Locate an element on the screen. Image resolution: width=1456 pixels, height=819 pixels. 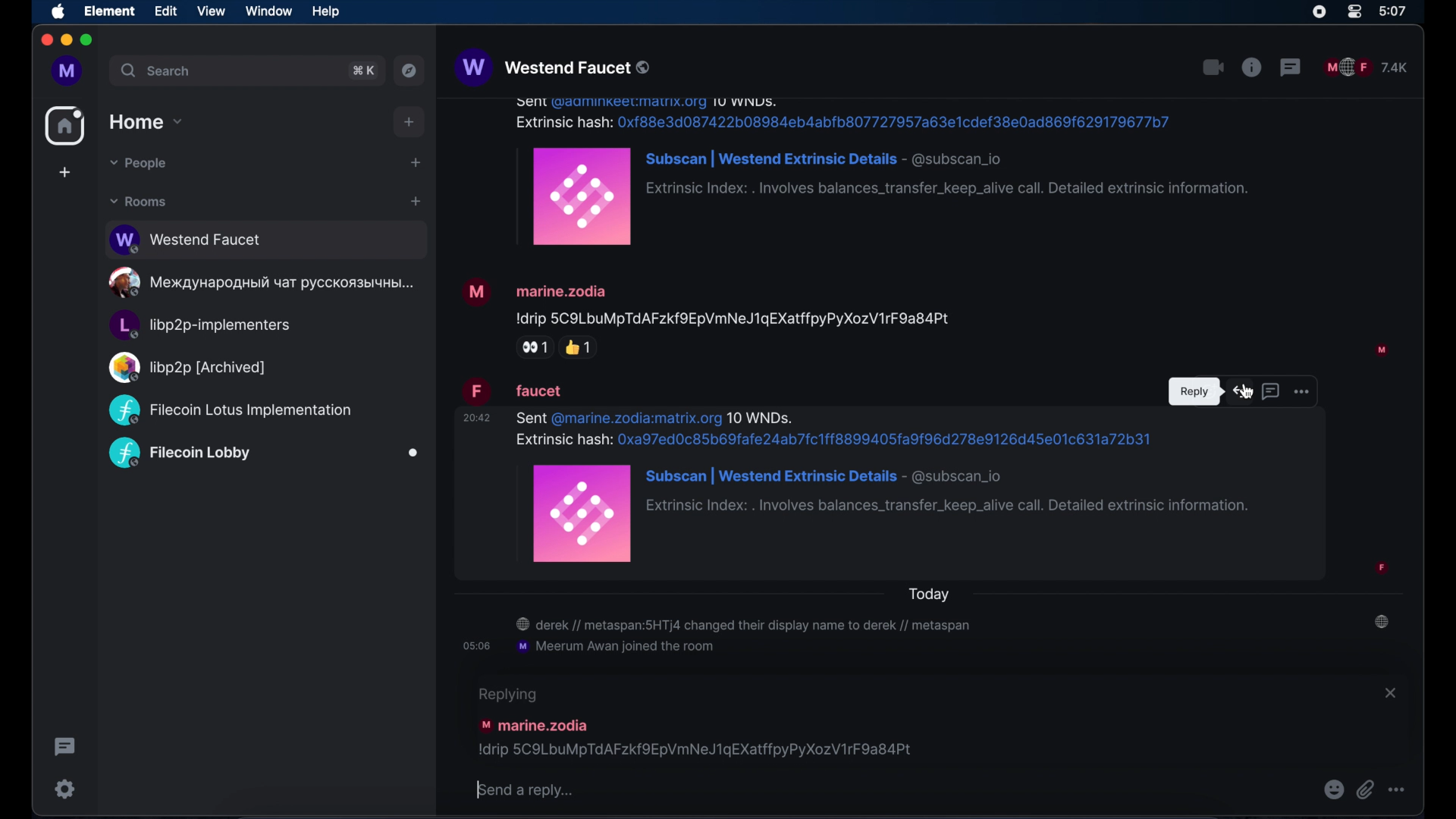
message is located at coordinates (931, 318).